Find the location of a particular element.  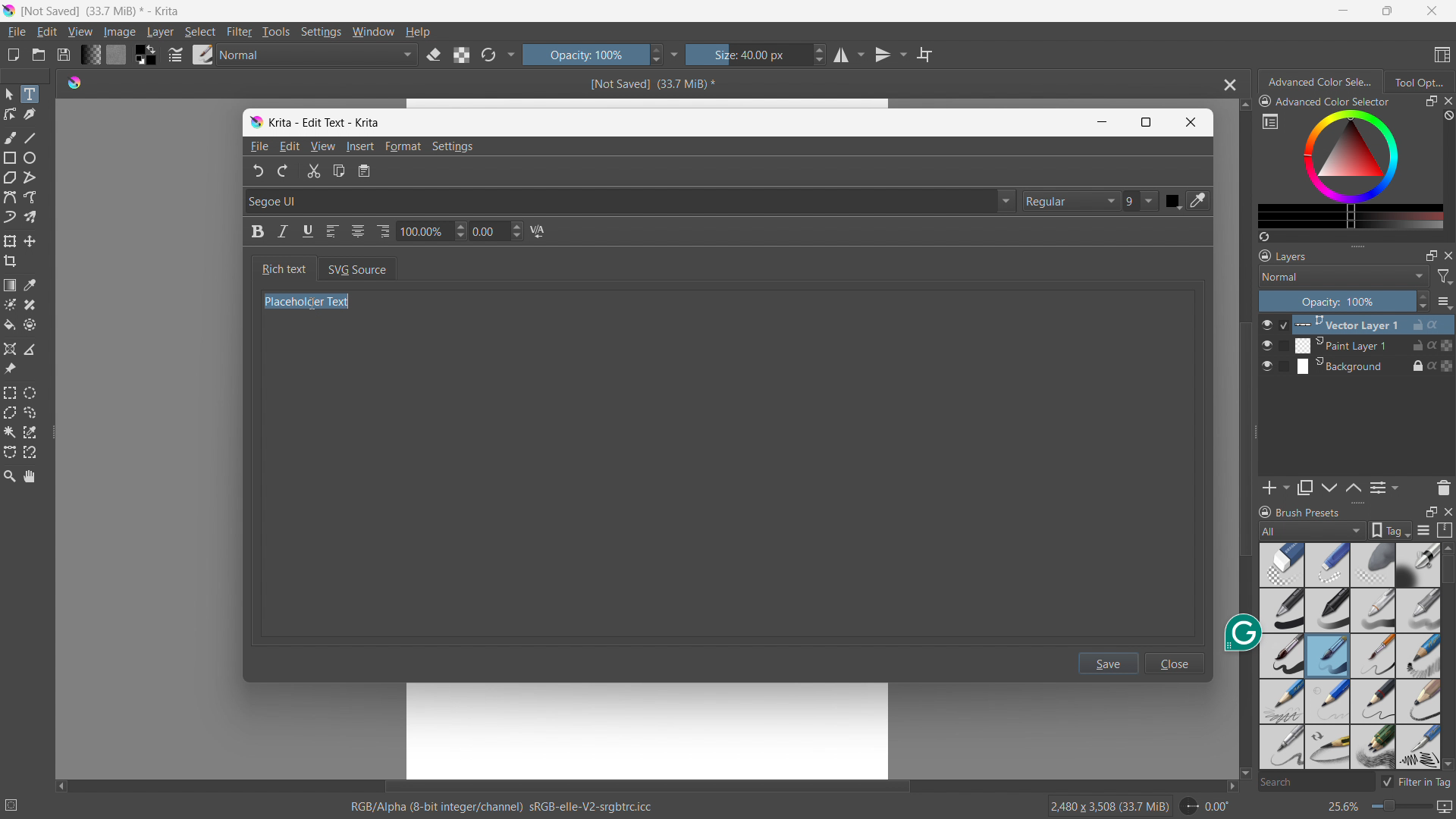

open is located at coordinates (39, 55).